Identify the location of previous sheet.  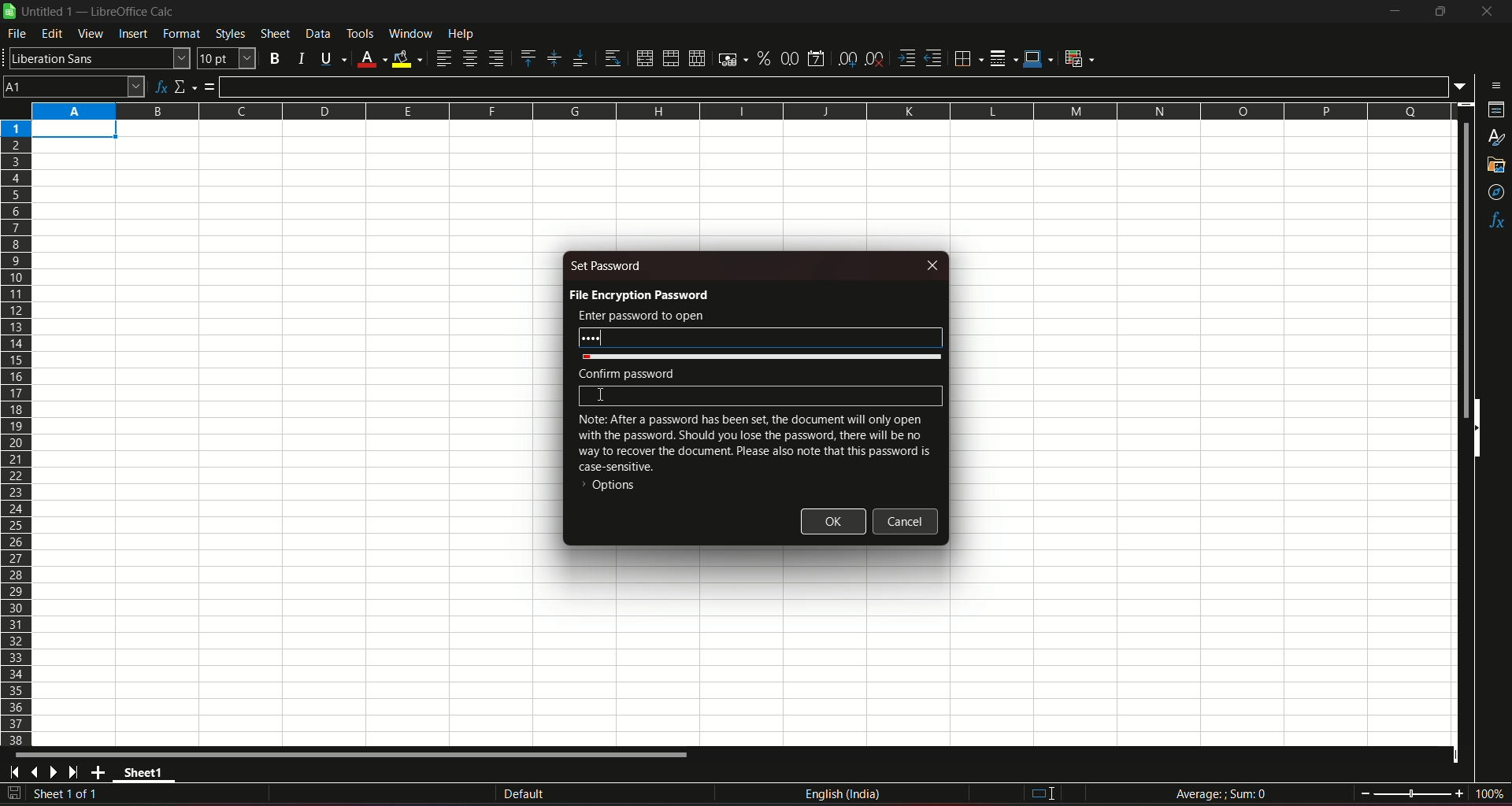
(36, 774).